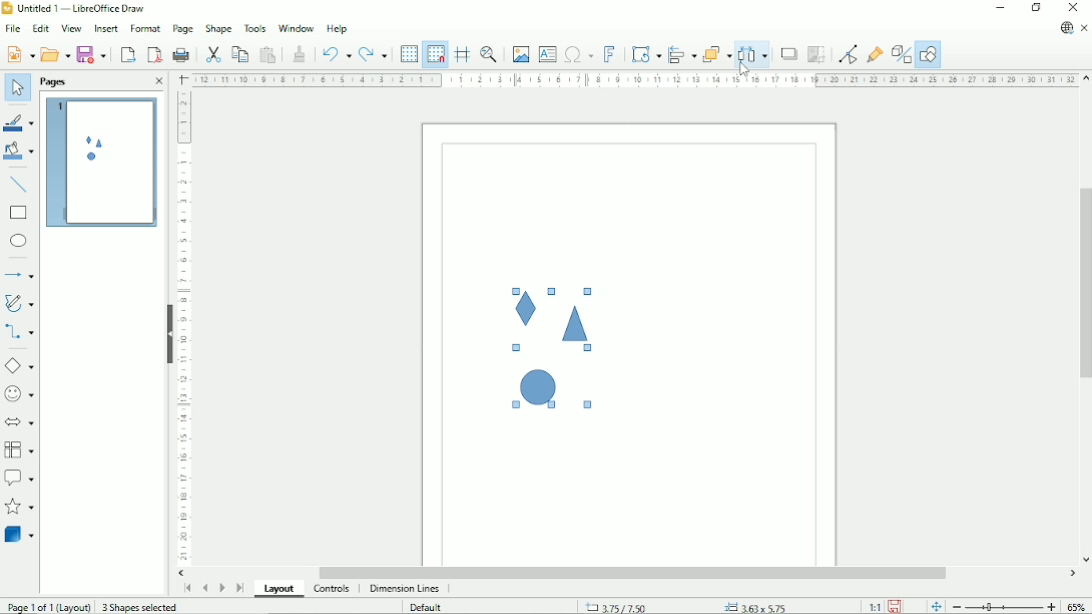  What do you see at coordinates (540, 352) in the screenshot?
I see `Selected shapes` at bounding box center [540, 352].